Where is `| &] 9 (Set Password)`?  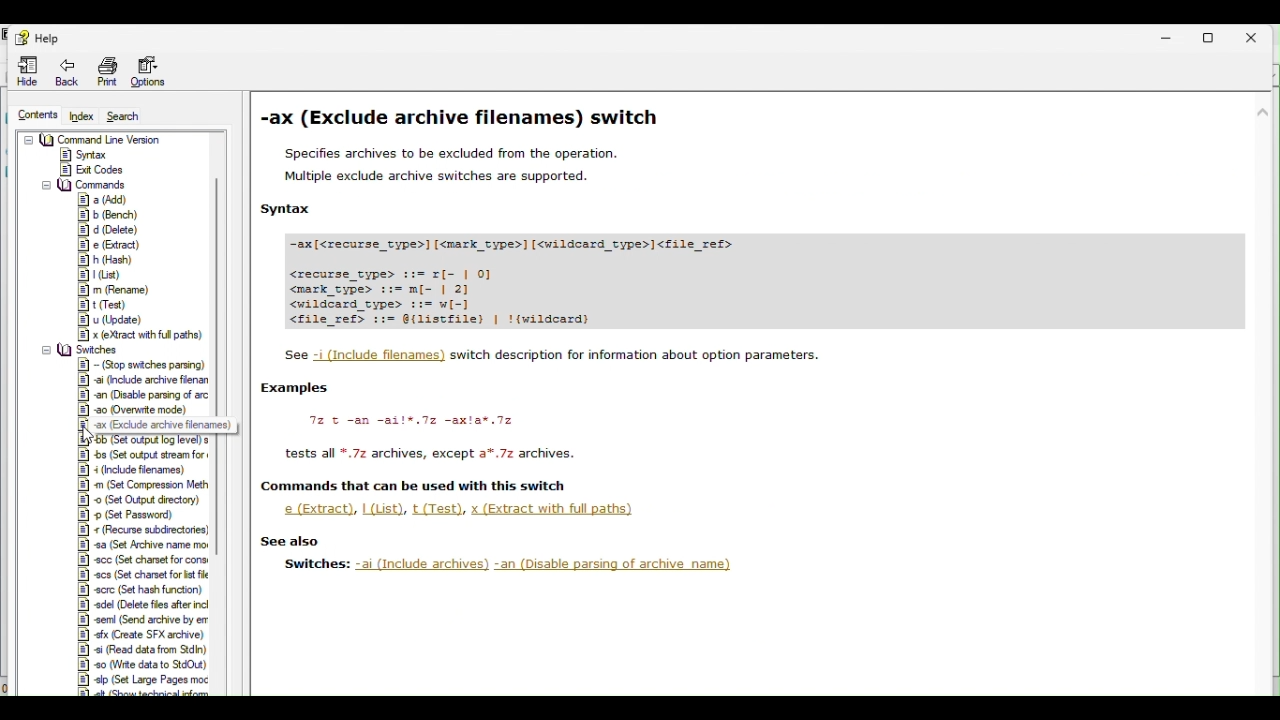
| &] 9 (Set Password) is located at coordinates (134, 515).